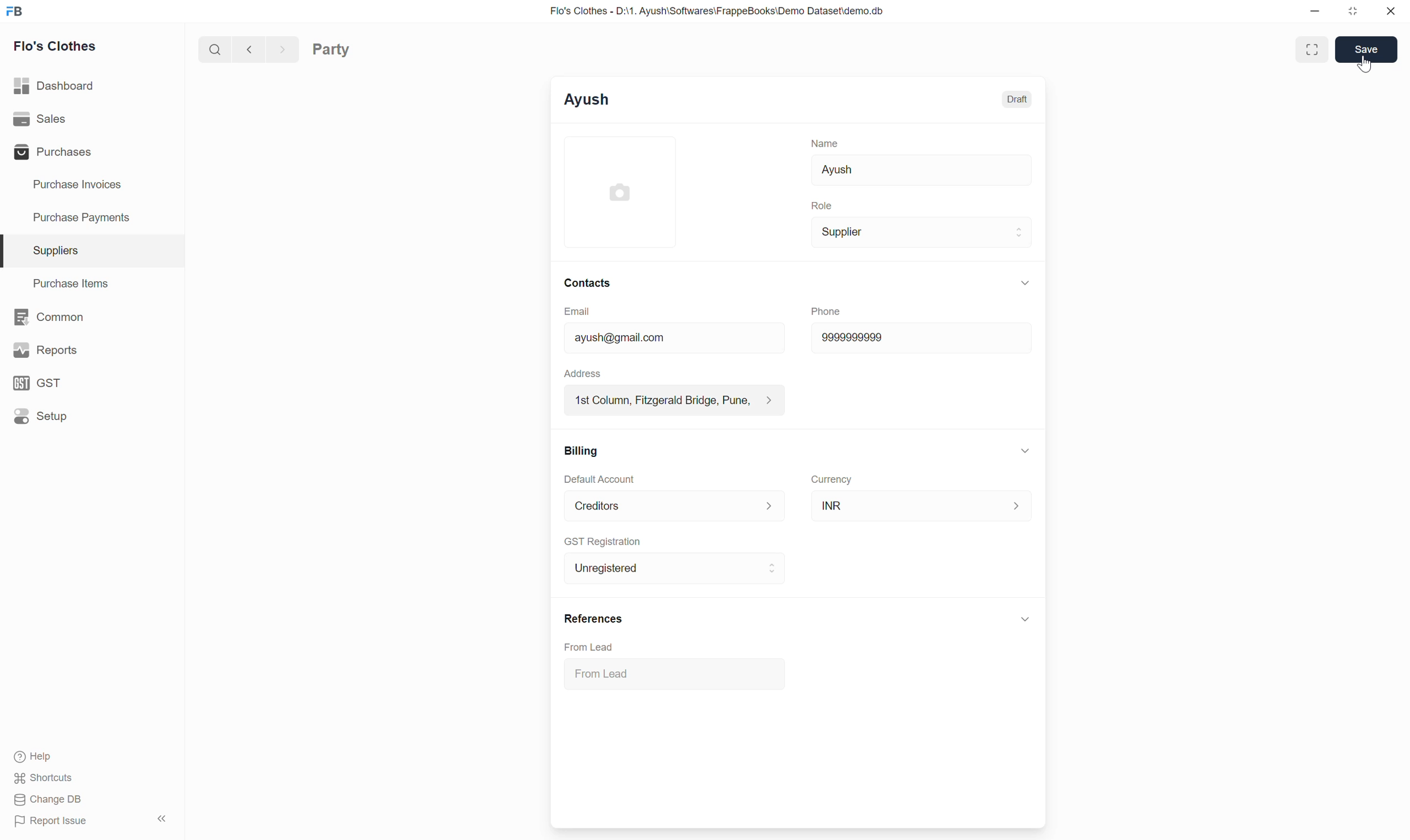  Describe the element at coordinates (331, 49) in the screenshot. I see `Party` at that location.